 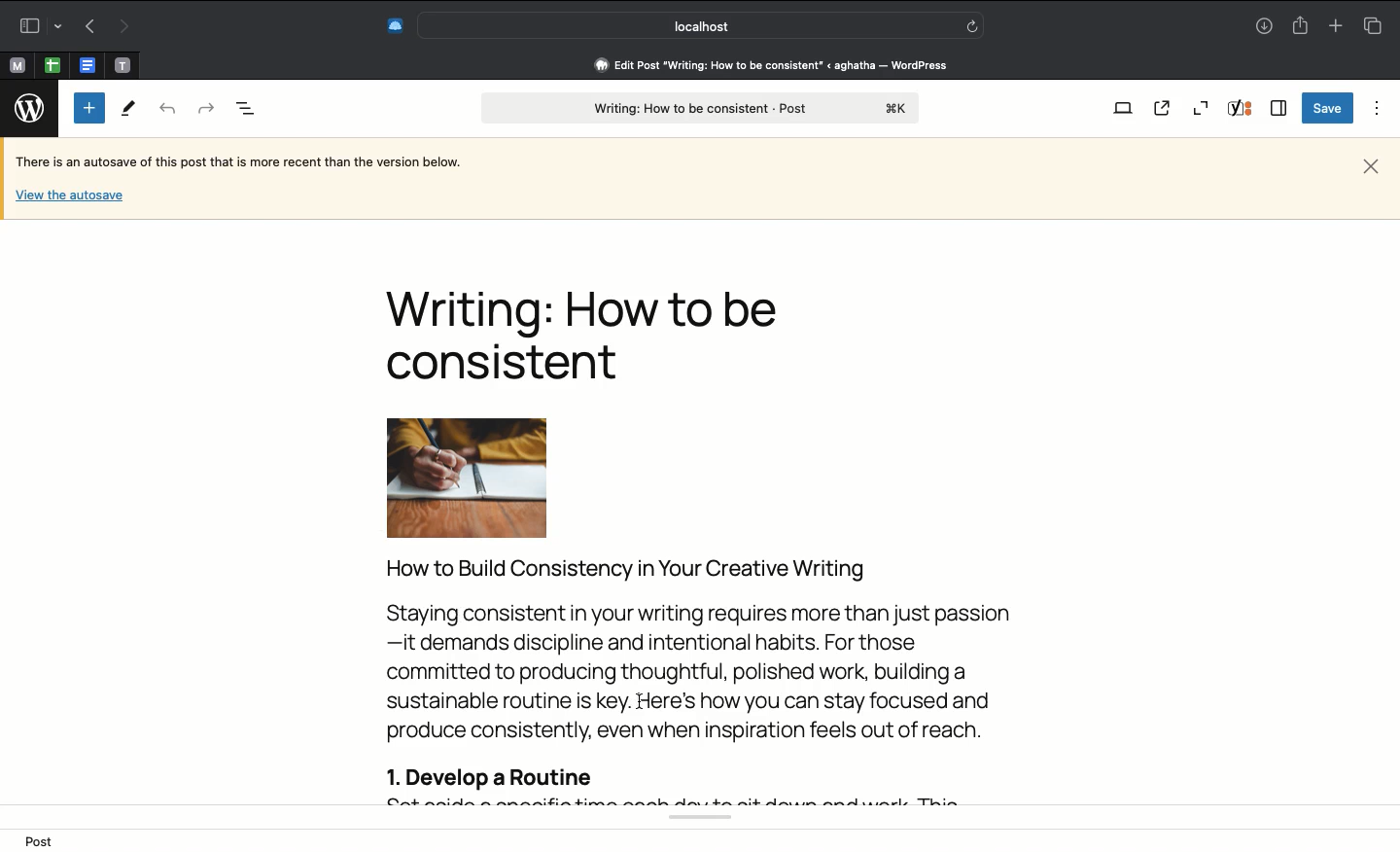 I want to click on Search bar, so click(x=701, y=25).